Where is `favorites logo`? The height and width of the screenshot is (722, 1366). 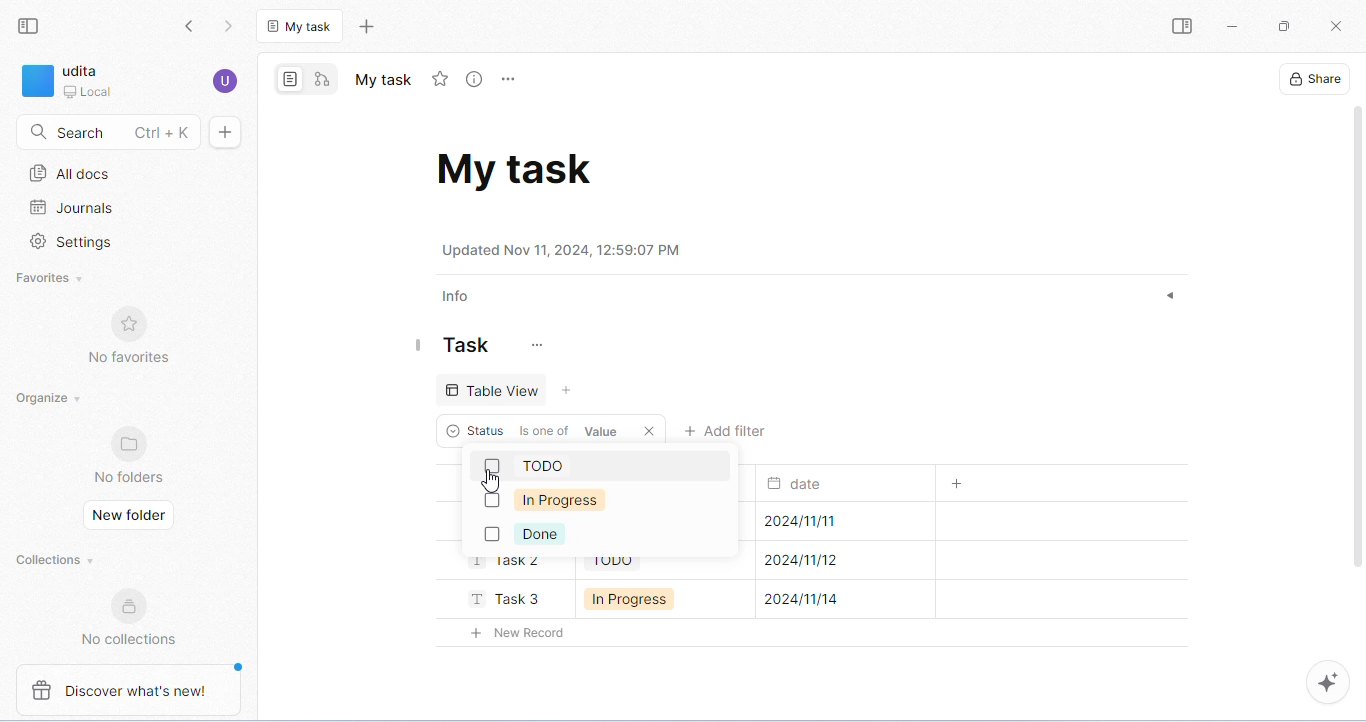
favorites logo is located at coordinates (133, 322).